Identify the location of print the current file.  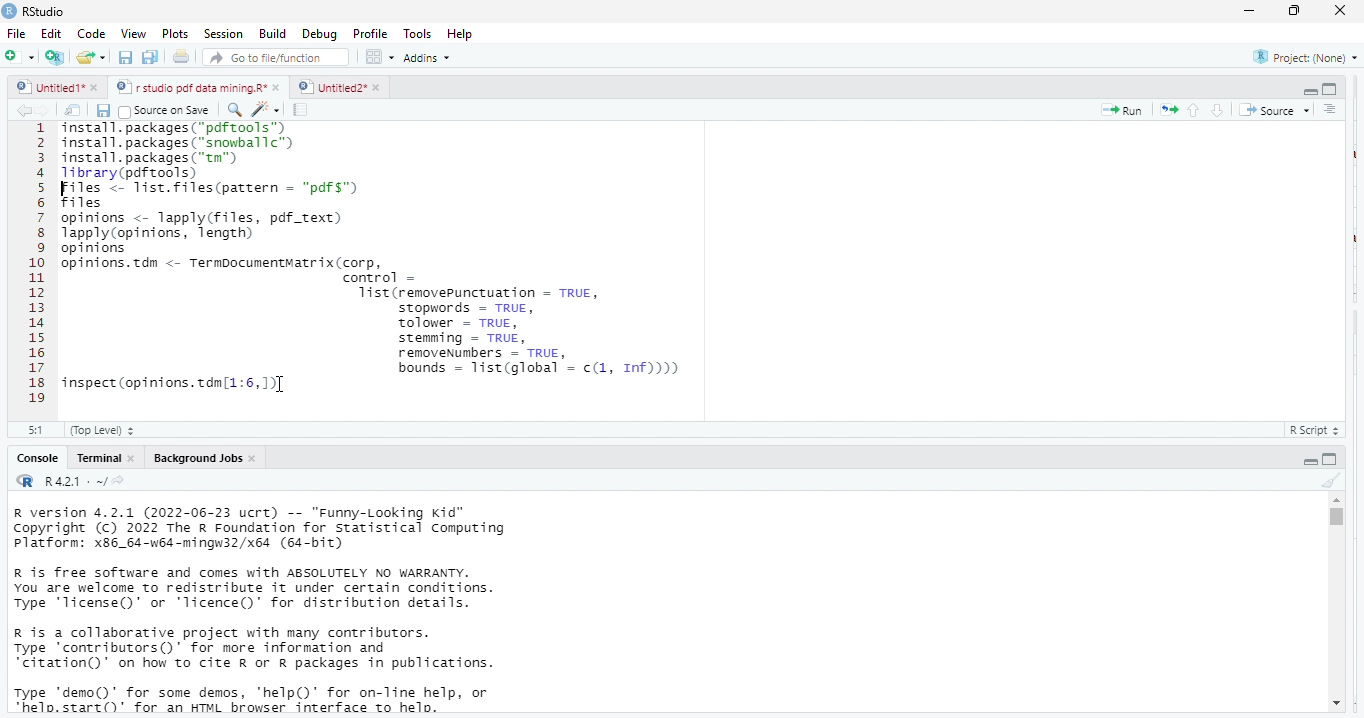
(182, 58).